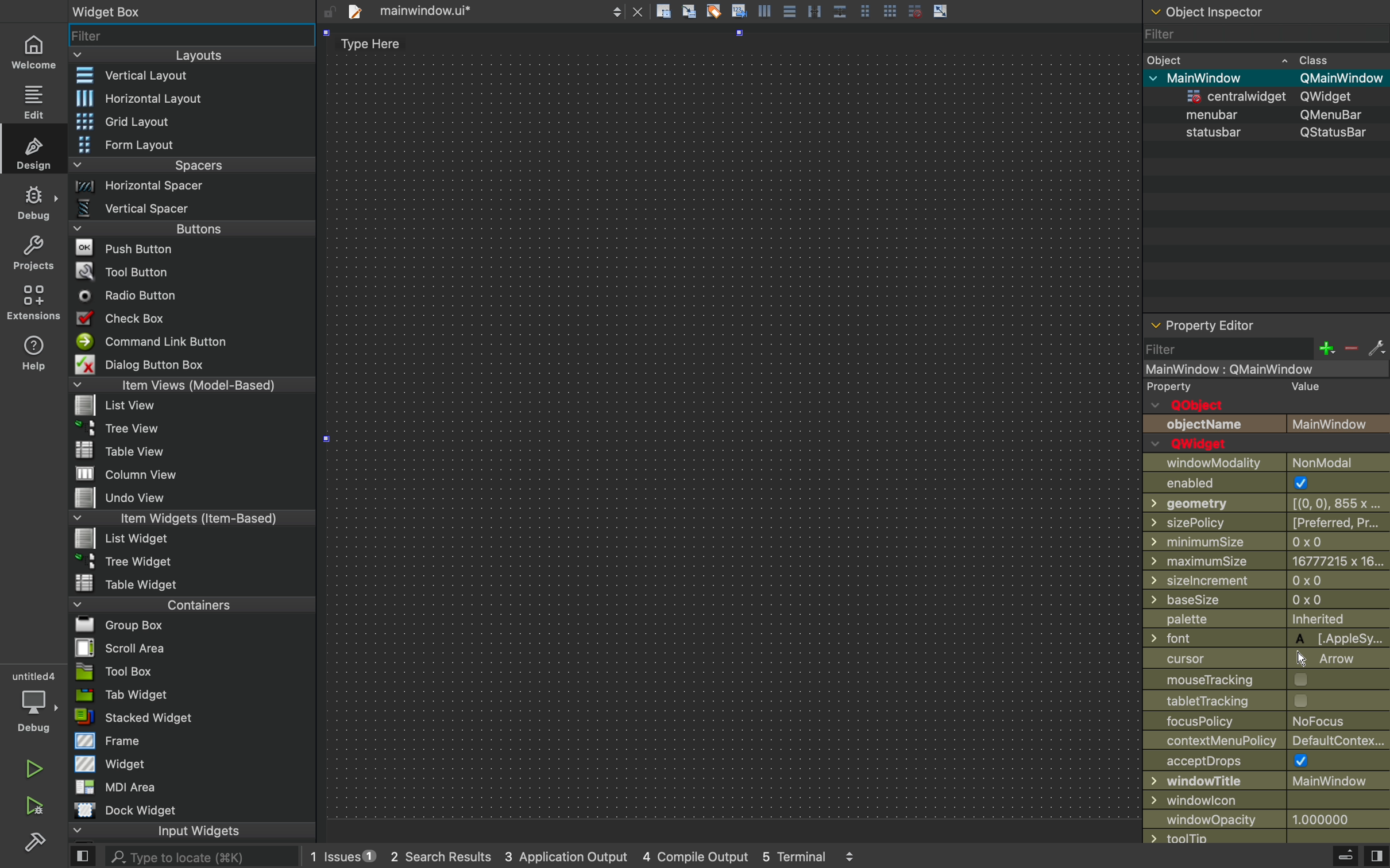 The height and width of the screenshot is (868, 1390). I want to click on MDI area, so click(193, 785).